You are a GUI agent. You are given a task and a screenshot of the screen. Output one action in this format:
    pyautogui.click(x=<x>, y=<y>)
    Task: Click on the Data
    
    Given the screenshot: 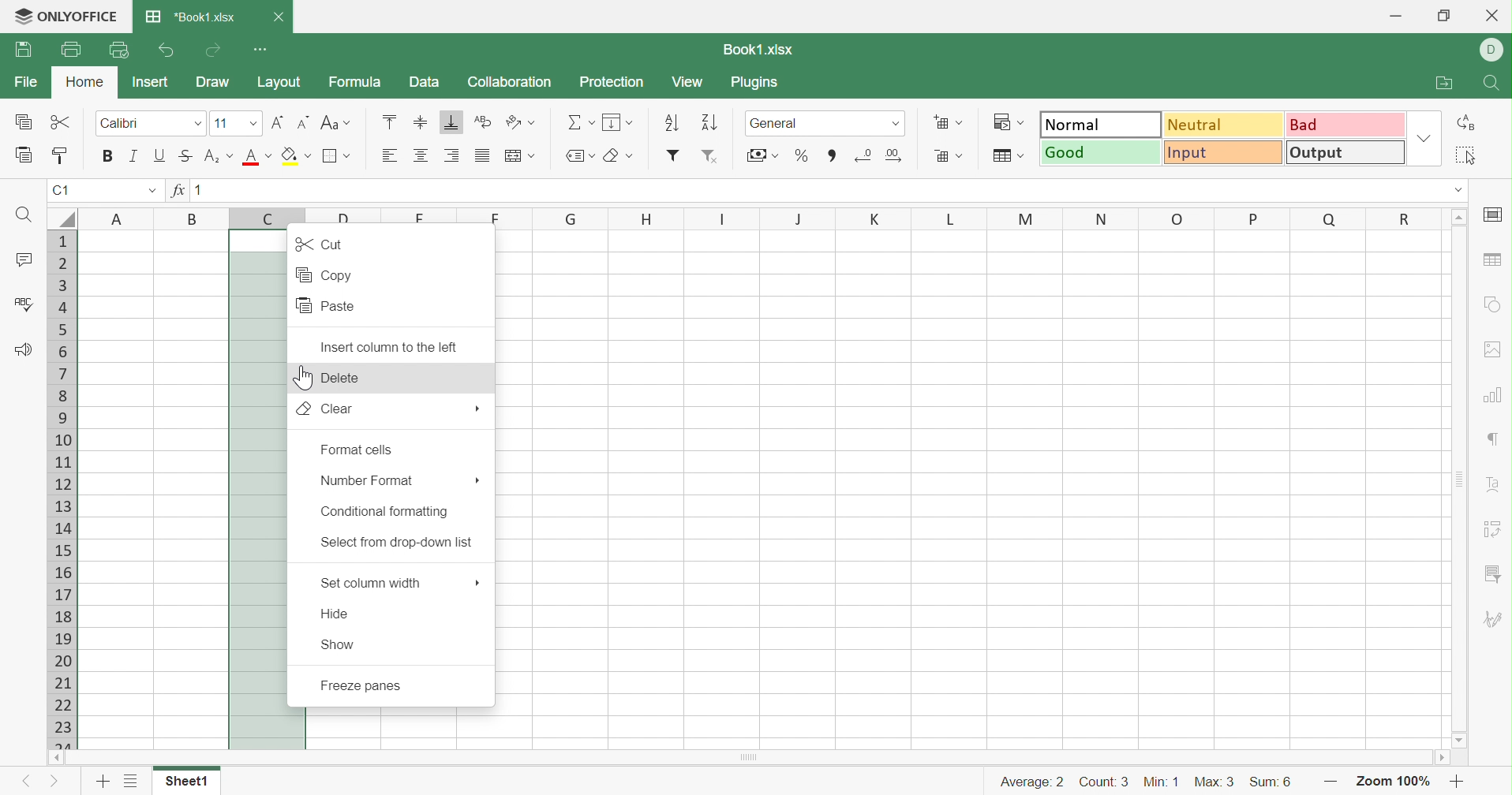 What is the action you would take?
    pyautogui.click(x=427, y=84)
    